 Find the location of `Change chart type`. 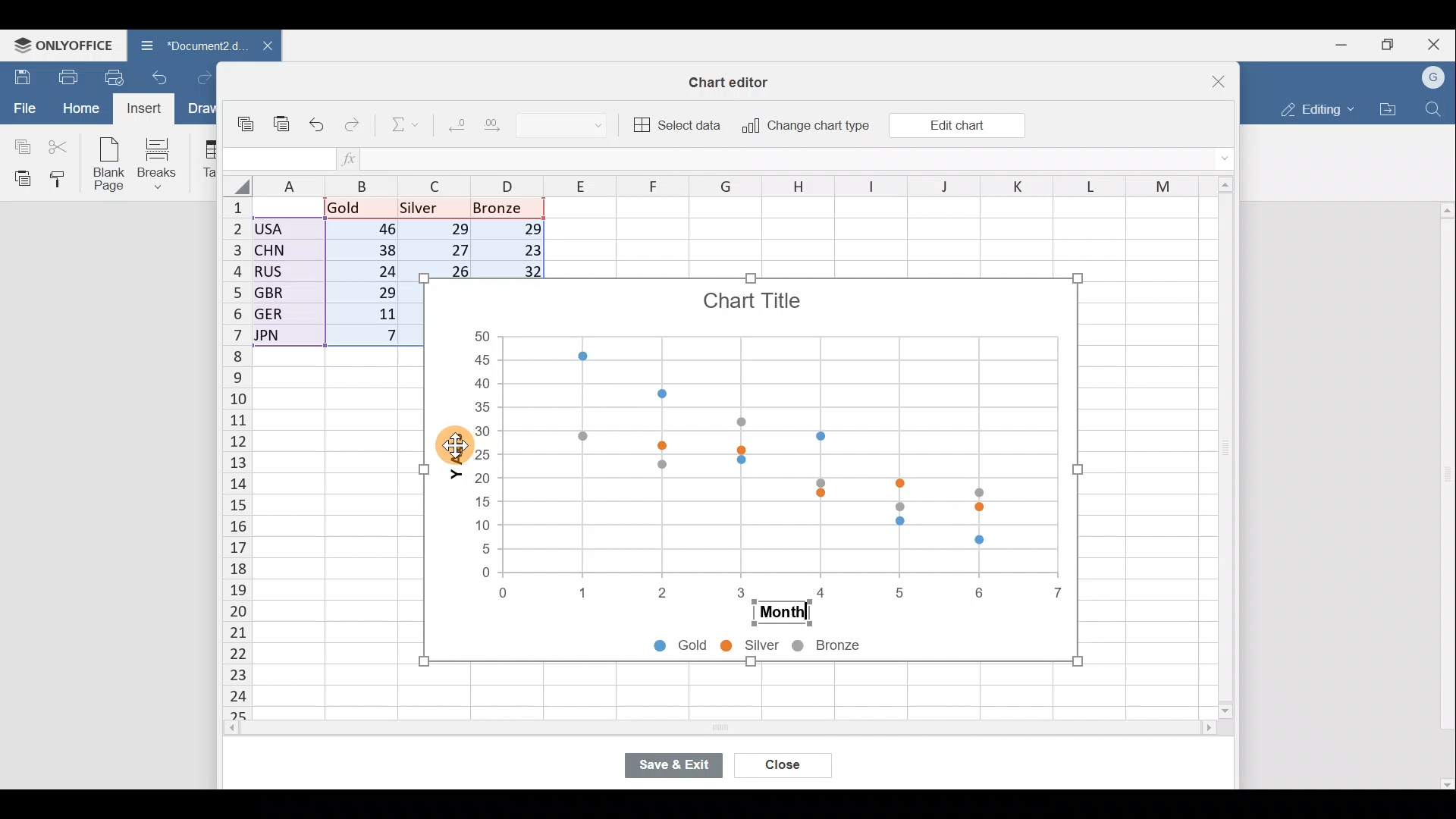

Change chart type is located at coordinates (805, 126).